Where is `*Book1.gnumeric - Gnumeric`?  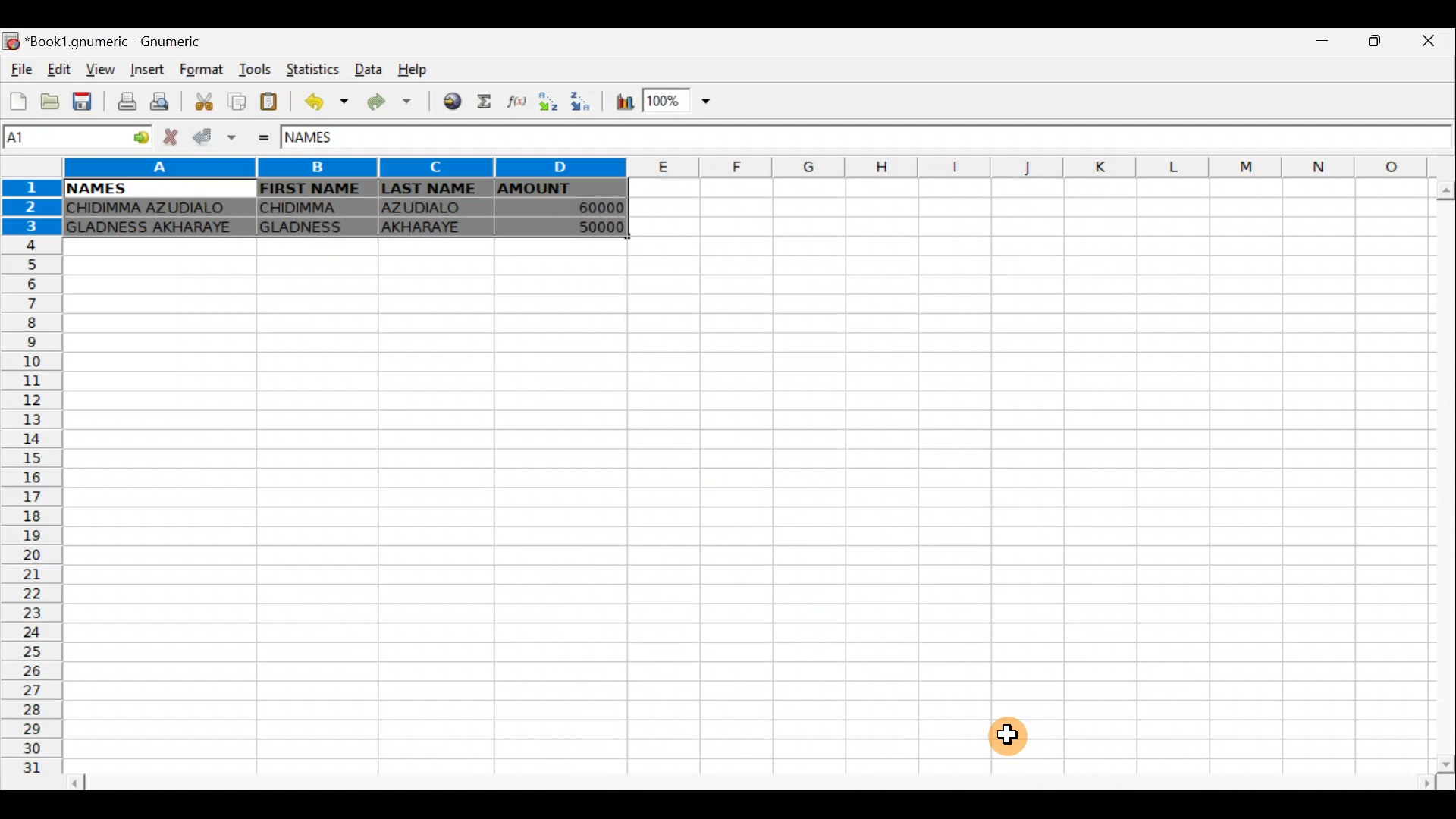 *Book1.gnumeric - Gnumeric is located at coordinates (122, 42).